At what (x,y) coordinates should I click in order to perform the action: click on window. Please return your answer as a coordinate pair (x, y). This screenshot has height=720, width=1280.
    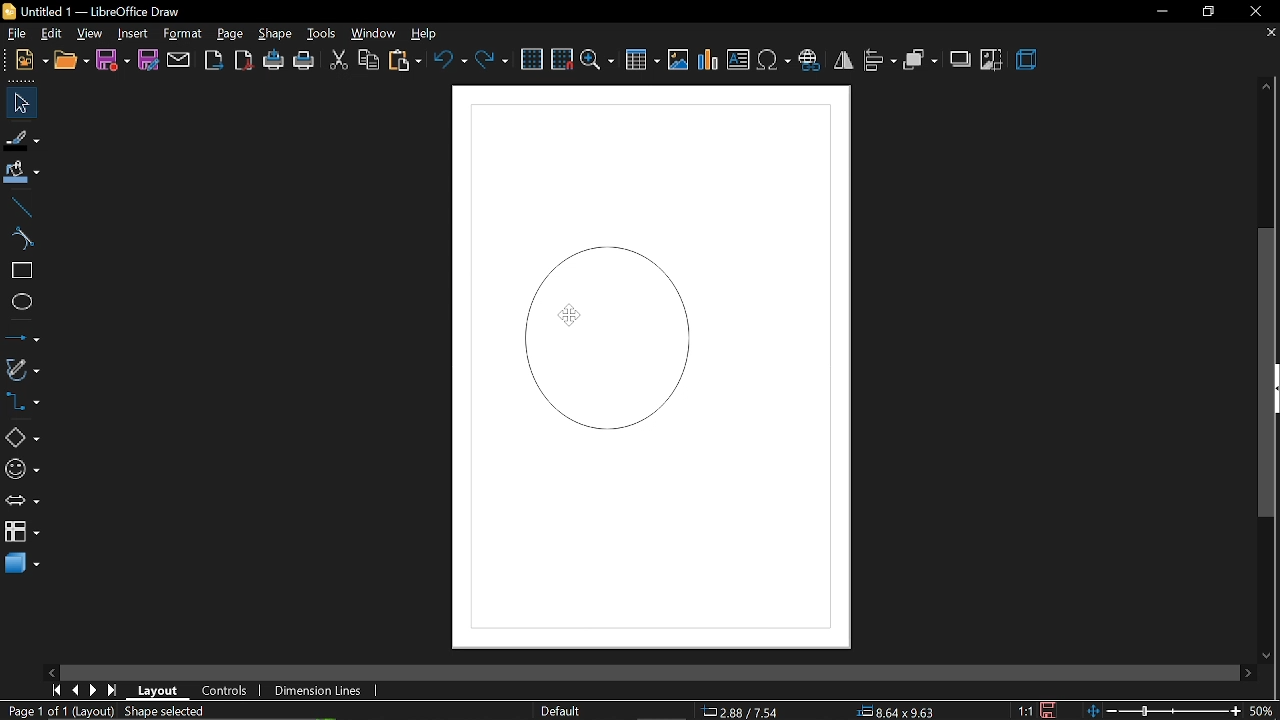
    Looking at the image, I should click on (371, 33).